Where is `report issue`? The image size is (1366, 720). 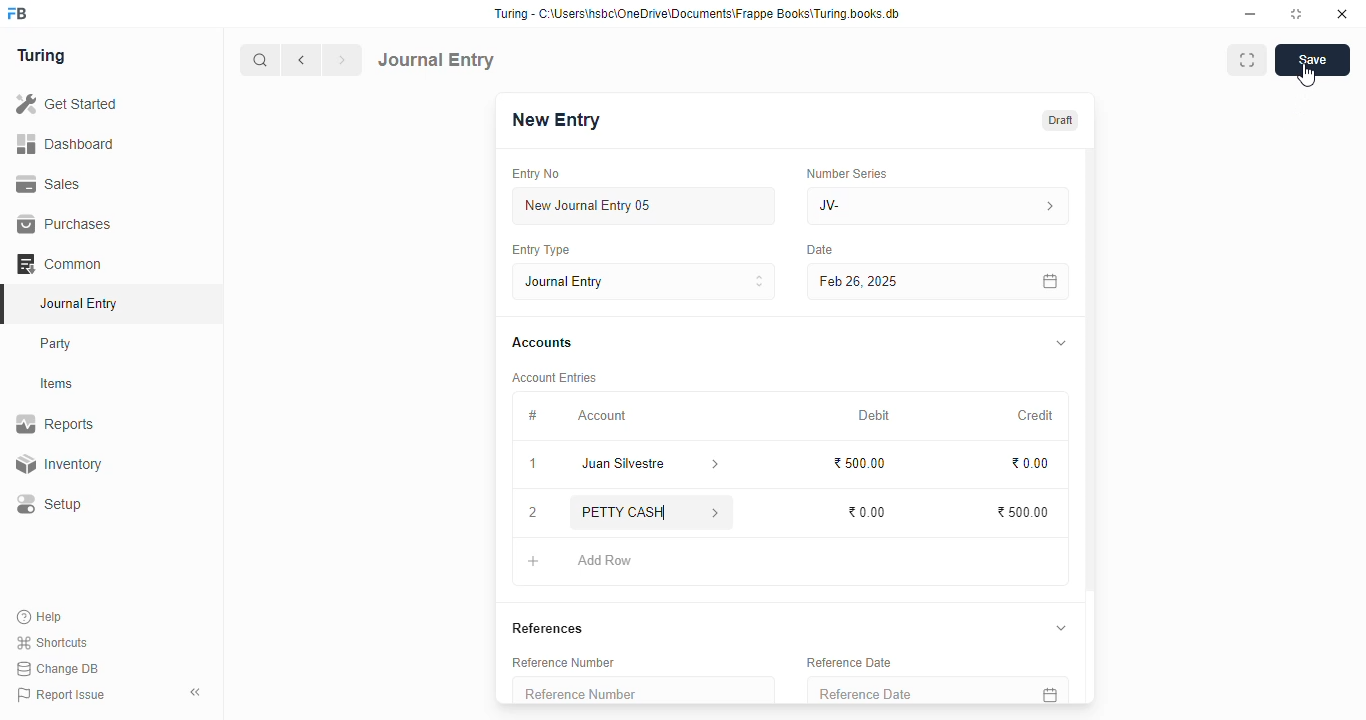 report issue is located at coordinates (61, 695).